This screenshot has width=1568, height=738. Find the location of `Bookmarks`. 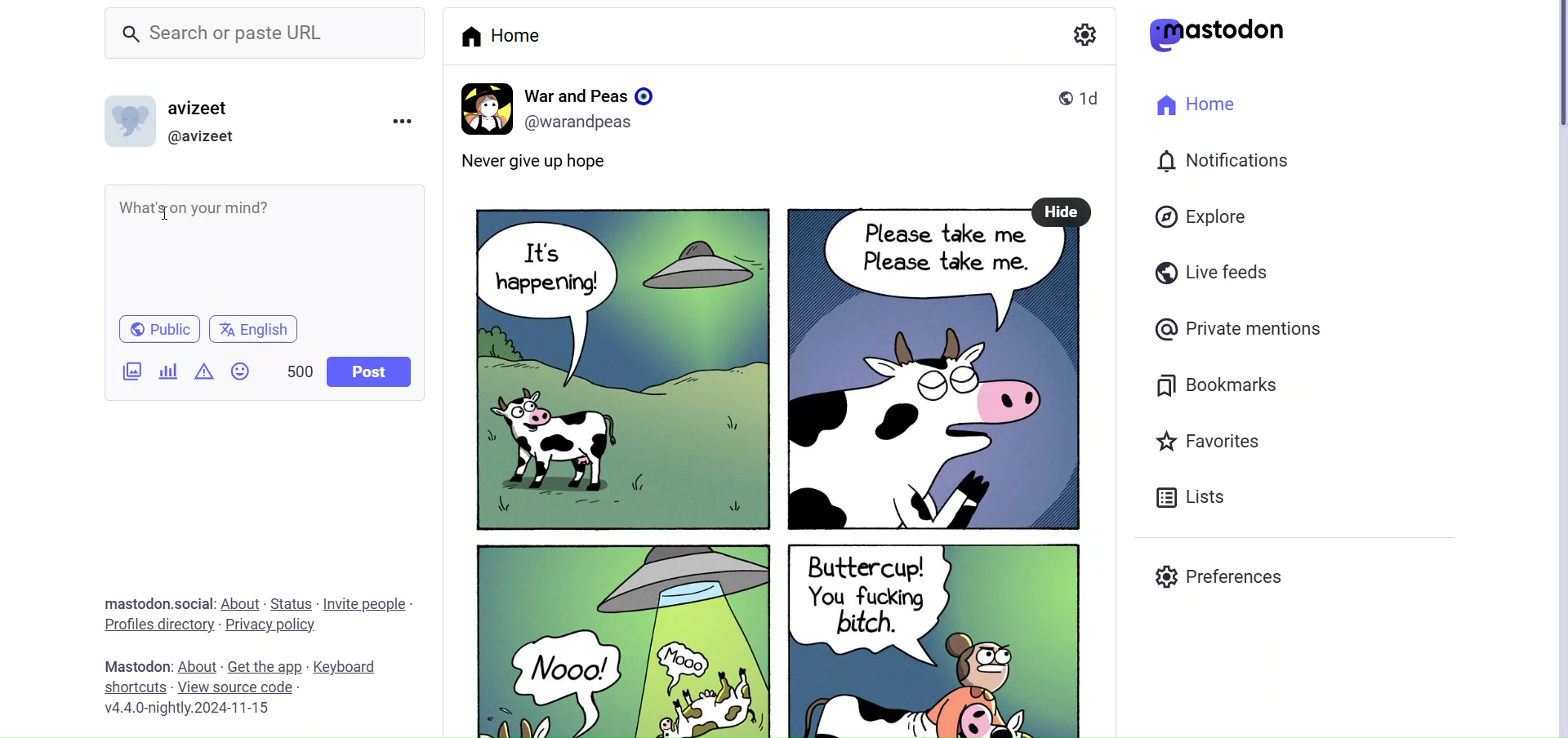

Bookmarks is located at coordinates (1215, 383).